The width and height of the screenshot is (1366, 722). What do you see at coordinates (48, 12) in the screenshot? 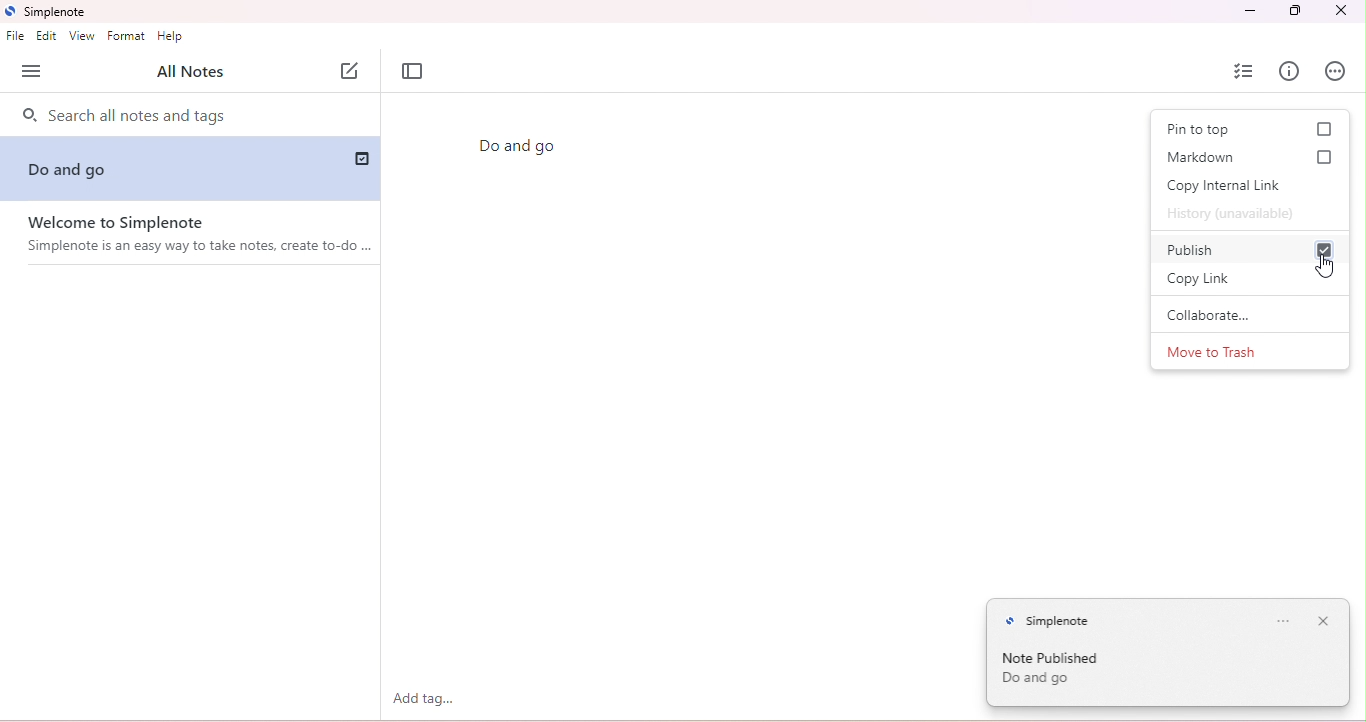
I see `title` at bounding box center [48, 12].